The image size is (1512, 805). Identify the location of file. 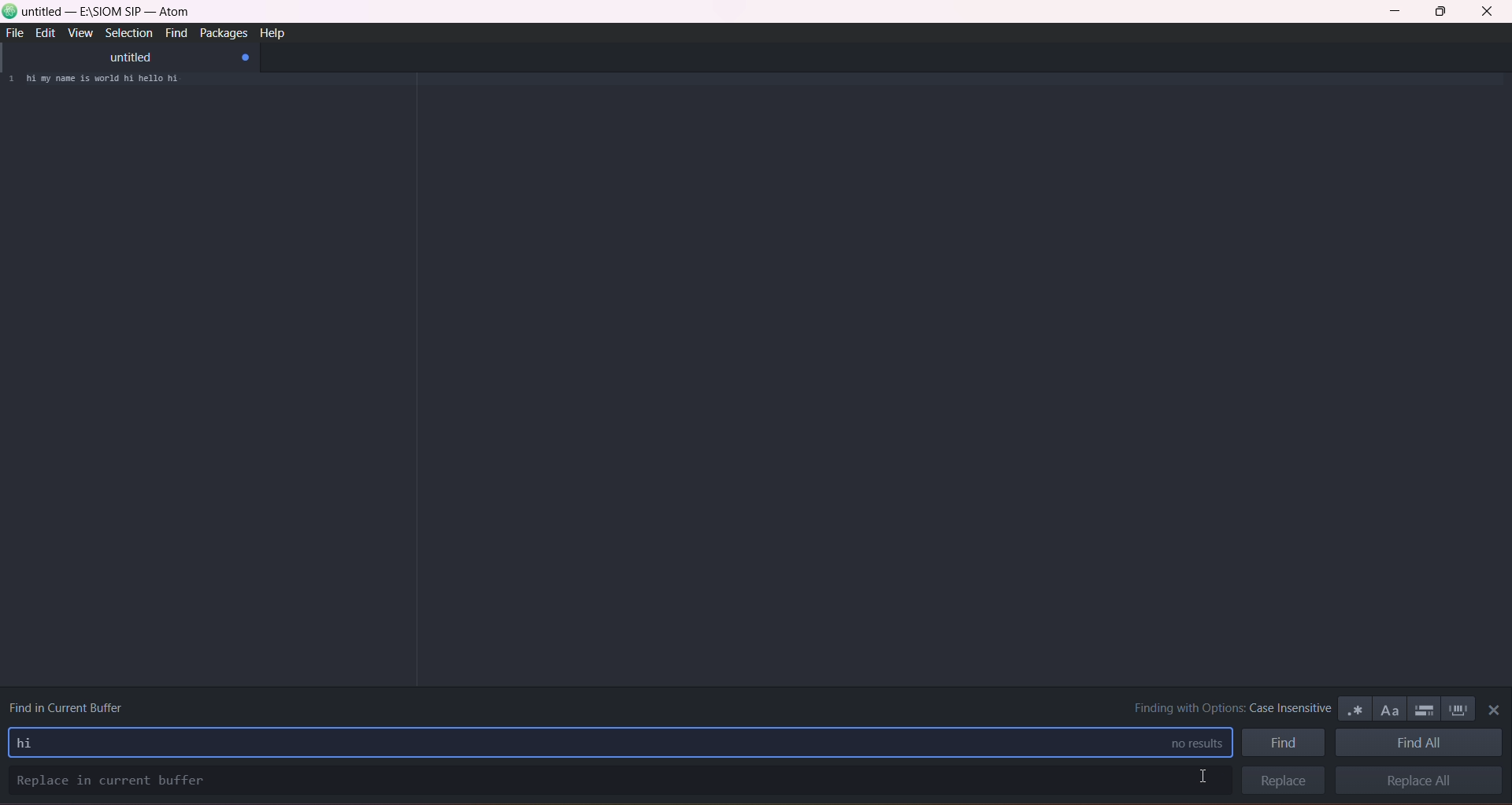
(17, 33).